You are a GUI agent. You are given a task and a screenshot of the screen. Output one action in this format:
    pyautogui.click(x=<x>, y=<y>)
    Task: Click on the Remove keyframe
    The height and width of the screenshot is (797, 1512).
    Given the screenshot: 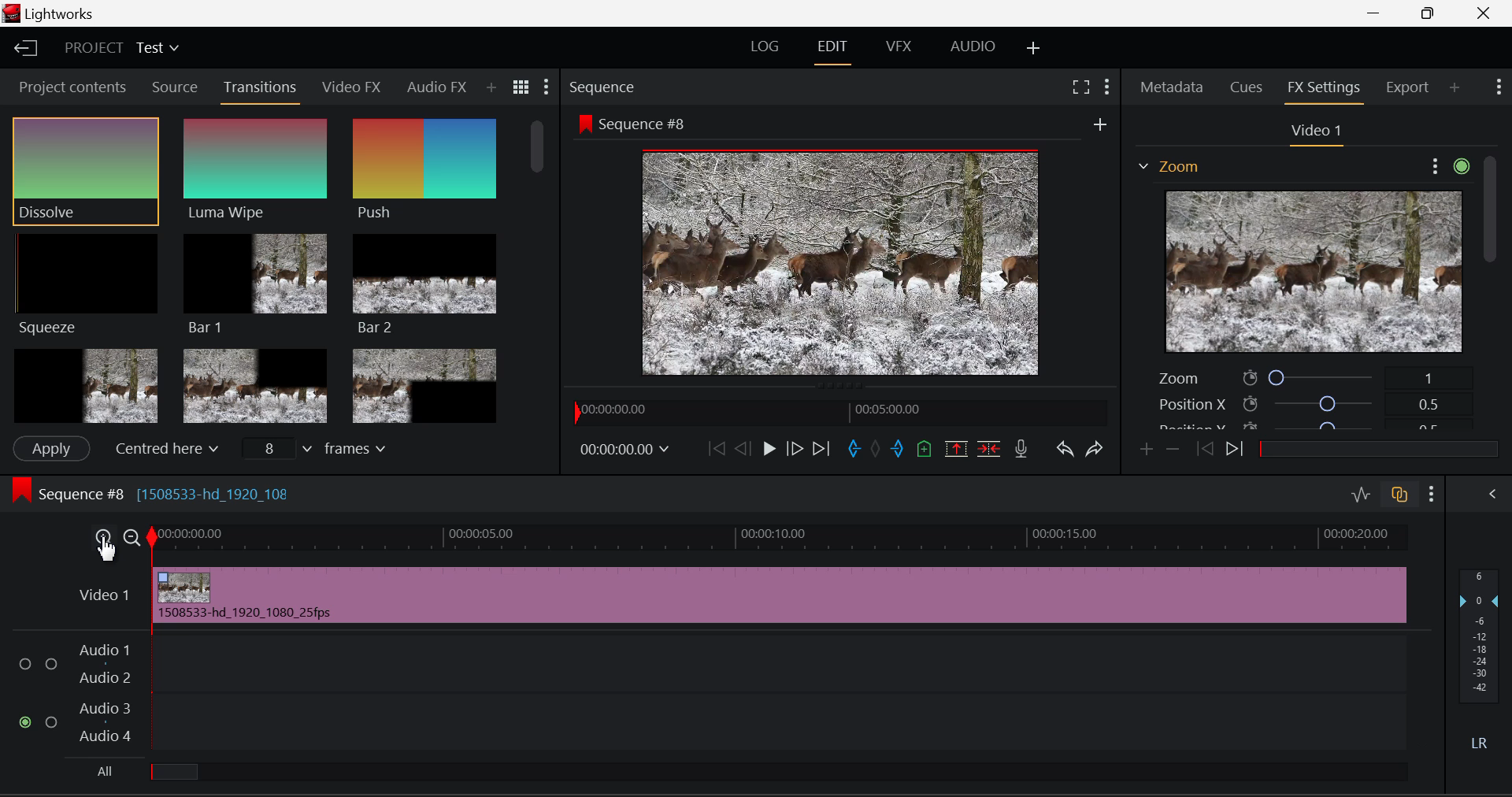 What is the action you would take?
    pyautogui.click(x=1175, y=447)
    